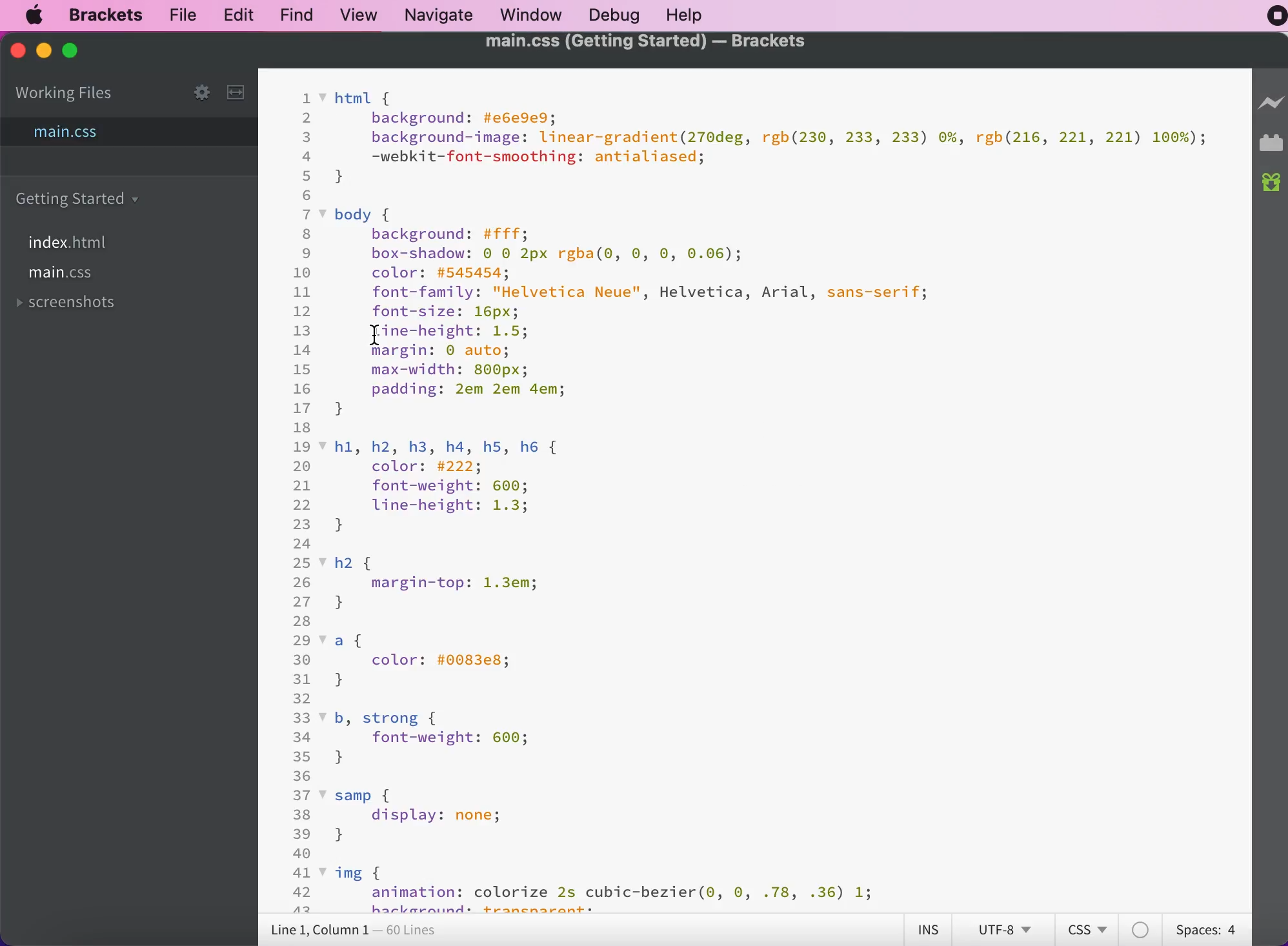  Describe the element at coordinates (304, 872) in the screenshot. I see `41` at that location.